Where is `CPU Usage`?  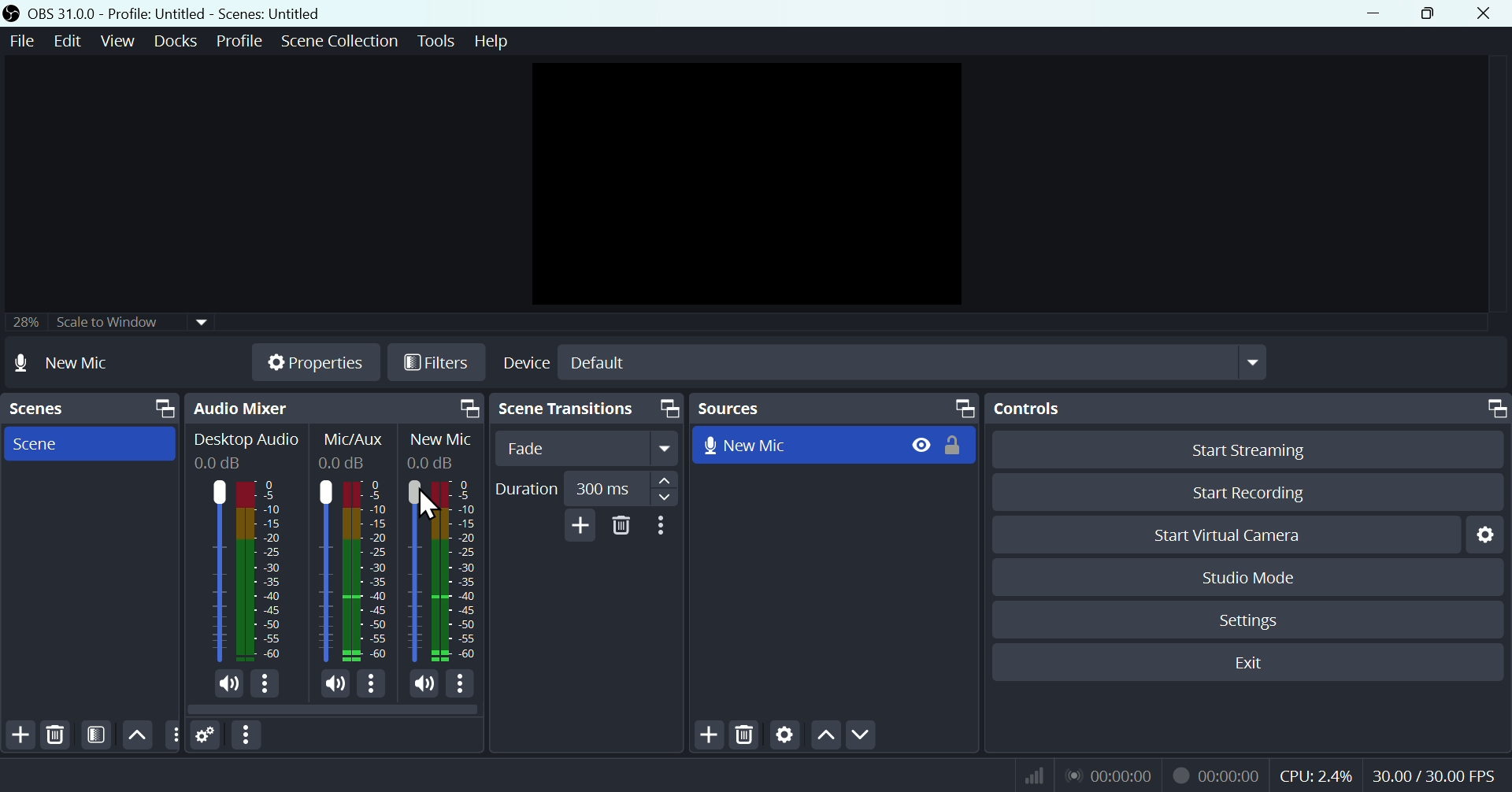 CPU Usage is located at coordinates (1317, 776).